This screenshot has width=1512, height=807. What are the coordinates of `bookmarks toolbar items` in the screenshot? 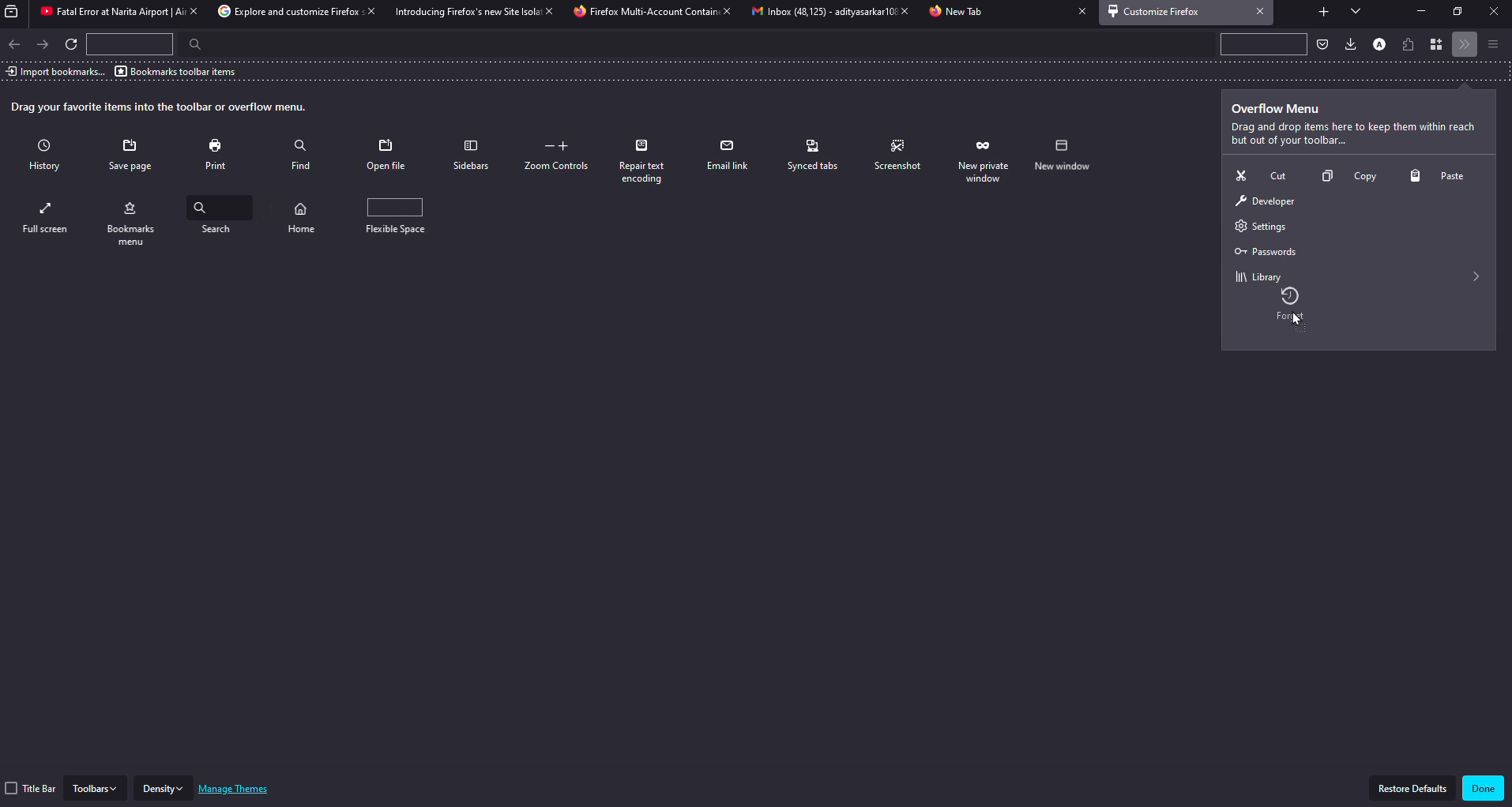 It's located at (178, 71).